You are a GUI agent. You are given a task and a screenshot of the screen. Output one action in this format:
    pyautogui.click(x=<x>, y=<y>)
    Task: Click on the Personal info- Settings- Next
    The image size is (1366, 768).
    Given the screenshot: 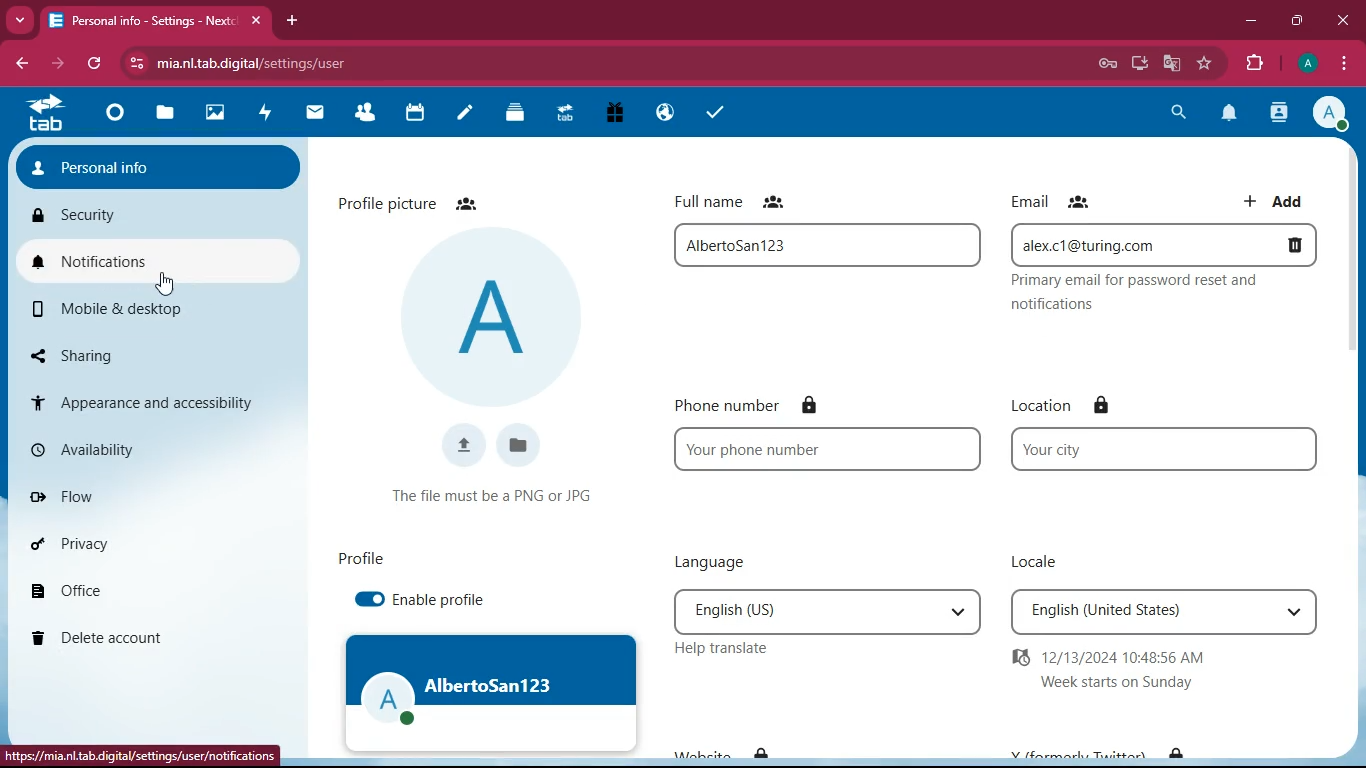 What is the action you would take?
    pyautogui.click(x=144, y=22)
    